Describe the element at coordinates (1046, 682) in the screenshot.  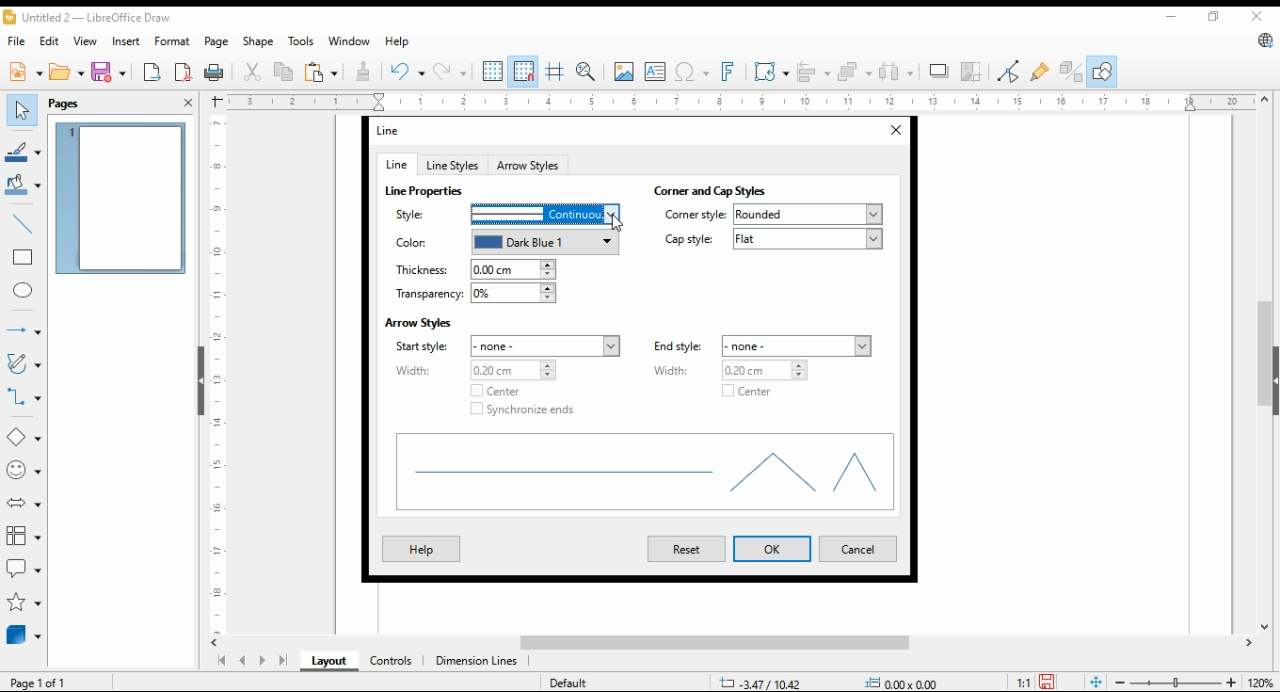
I see `save` at that location.